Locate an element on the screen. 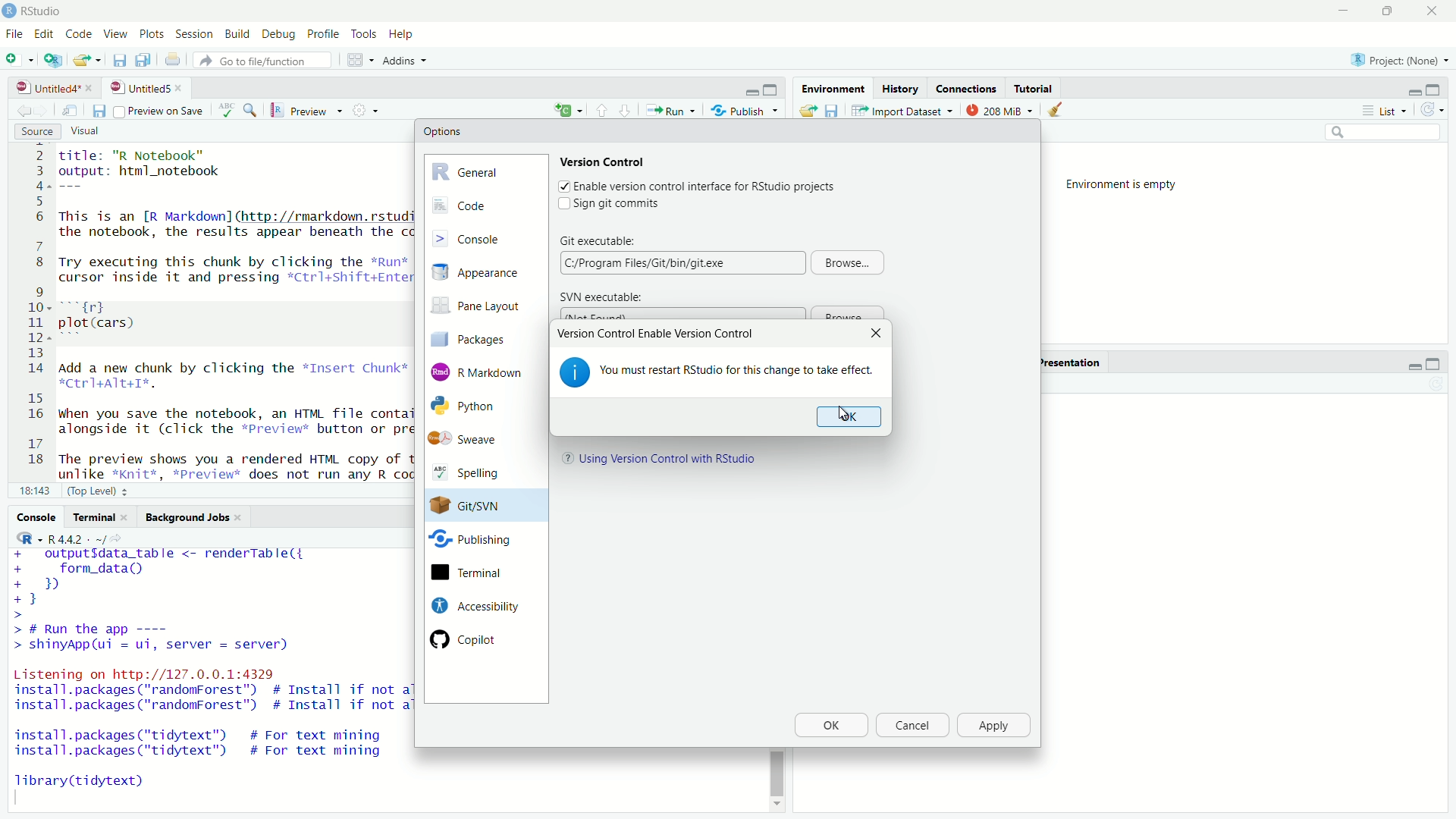 The width and height of the screenshot is (1456, 819). clear object is located at coordinates (1053, 110).